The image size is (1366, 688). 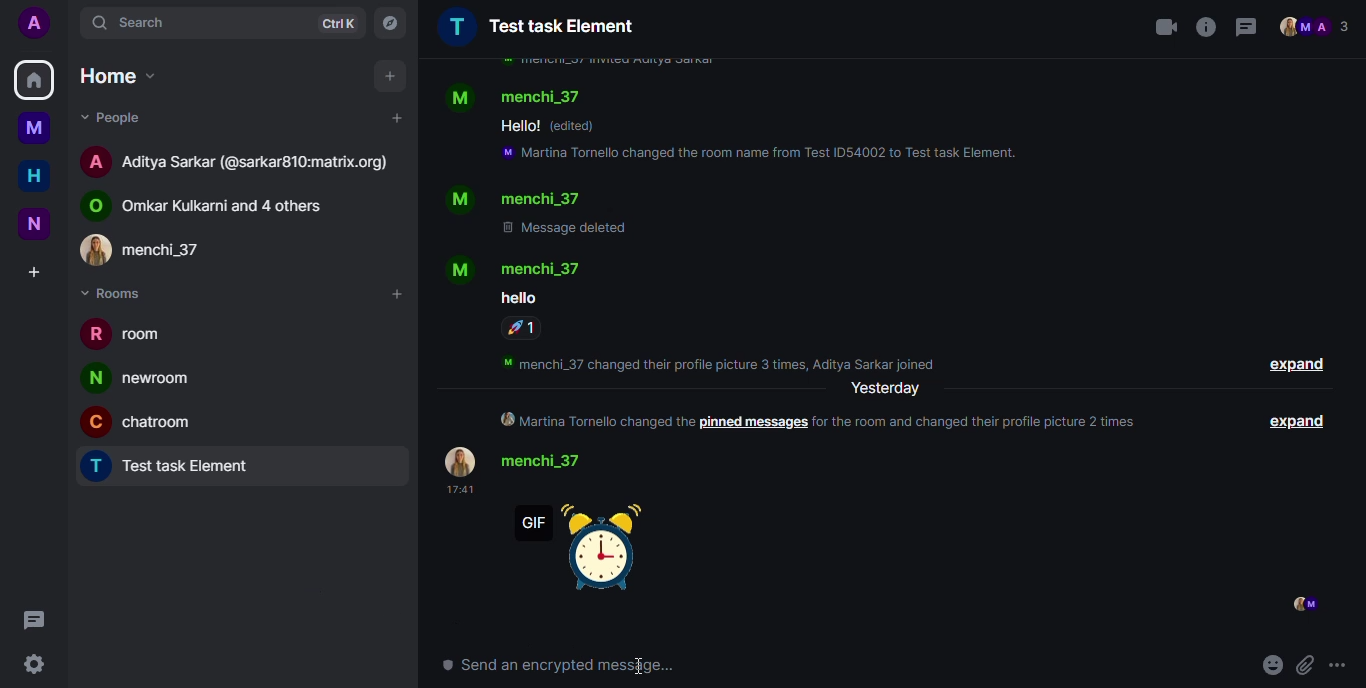 What do you see at coordinates (140, 19) in the screenshot?
I see `search` at bounding box center [140, 19].